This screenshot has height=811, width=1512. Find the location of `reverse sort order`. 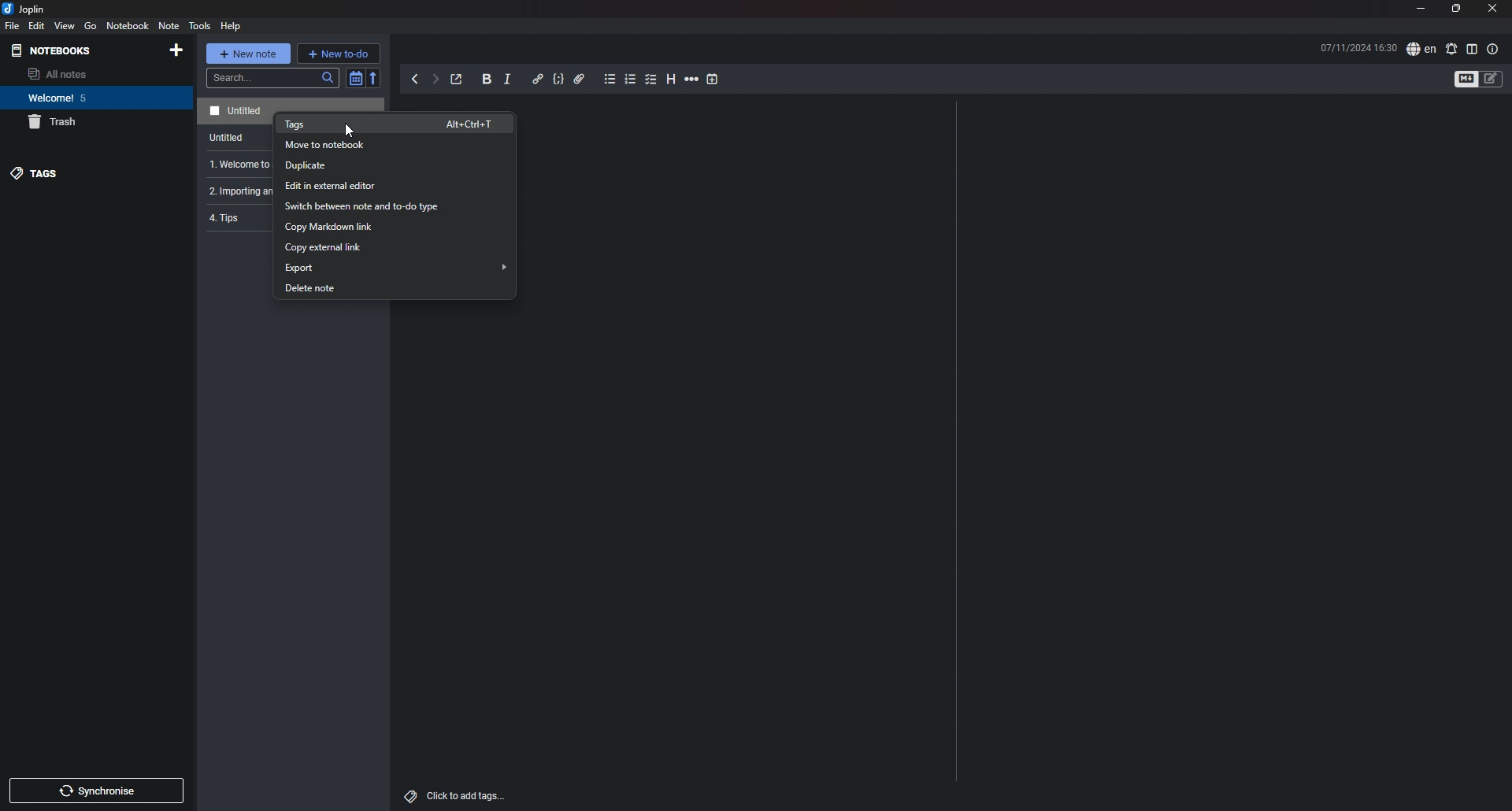

reverse sort order is located at coordinates (375, 77).